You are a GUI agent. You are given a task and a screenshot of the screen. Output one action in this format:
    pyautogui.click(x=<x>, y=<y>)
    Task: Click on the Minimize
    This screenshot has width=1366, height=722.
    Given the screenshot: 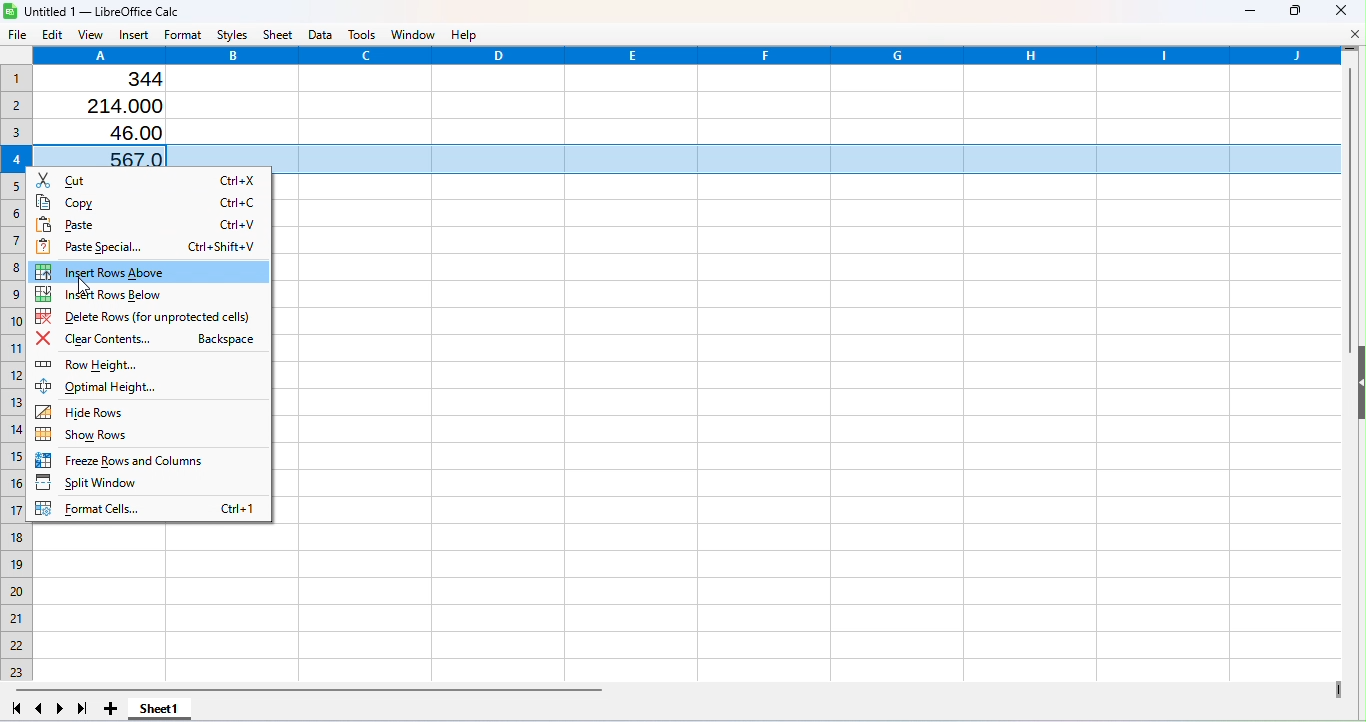 What is the action you would take?
    pyautogui.click(x=1248, y=12)
    